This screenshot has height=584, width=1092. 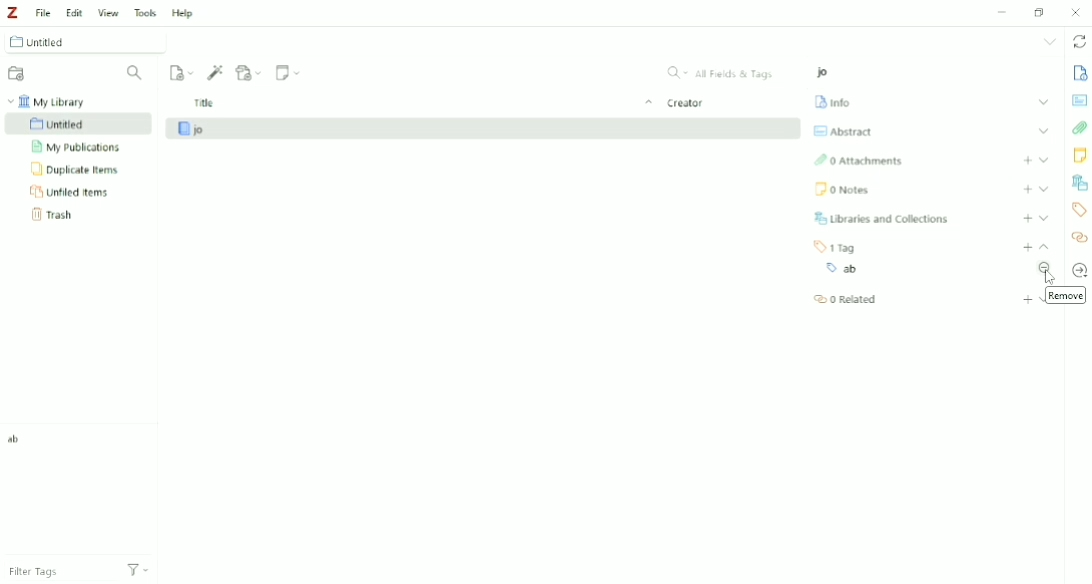 What do you see at coordinates (43, 13) in the screenshot?
I see `File` at bounding box center [43, 13].